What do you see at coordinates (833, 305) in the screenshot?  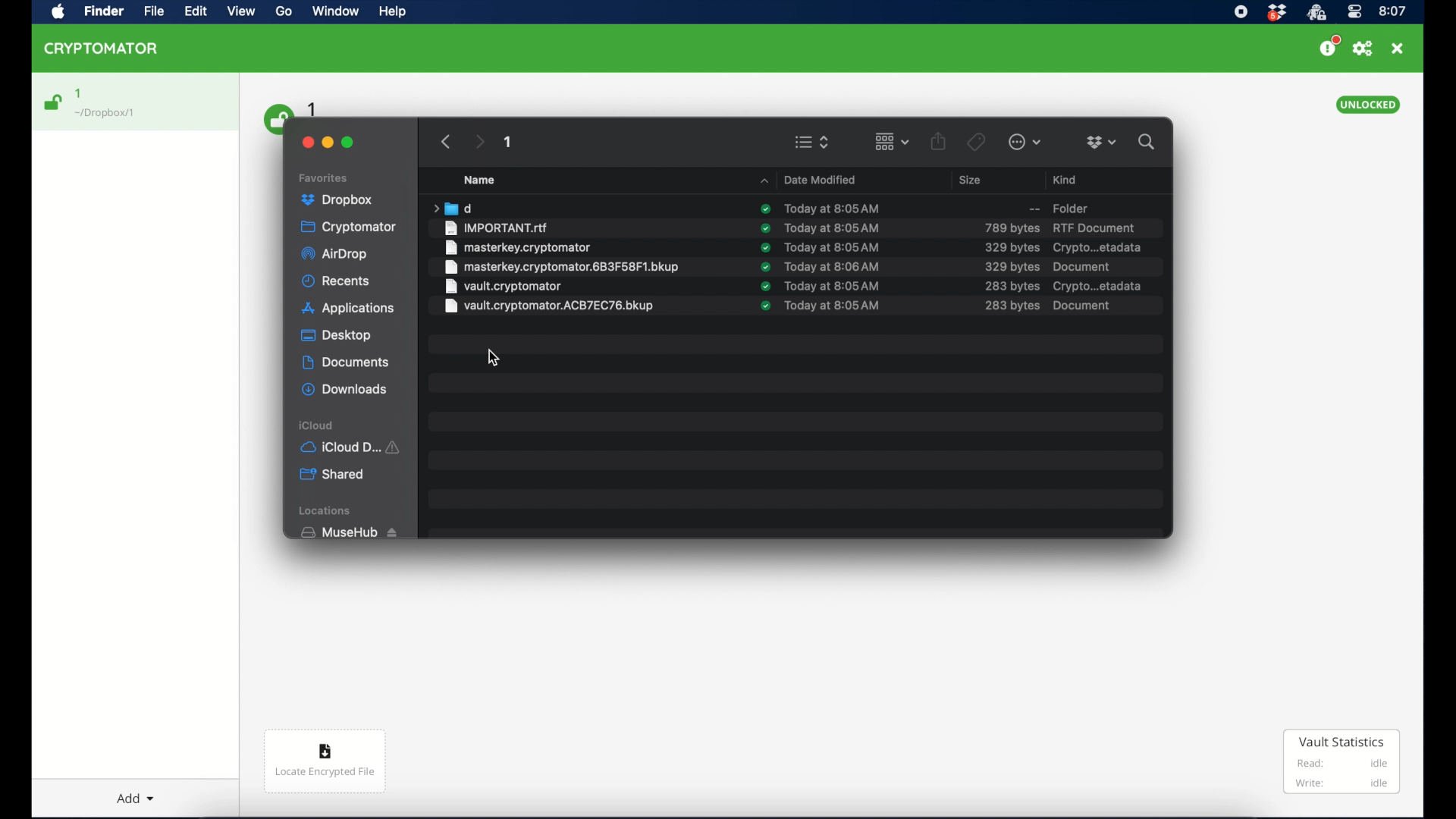 I see `date` at bounding box center [833, 305].